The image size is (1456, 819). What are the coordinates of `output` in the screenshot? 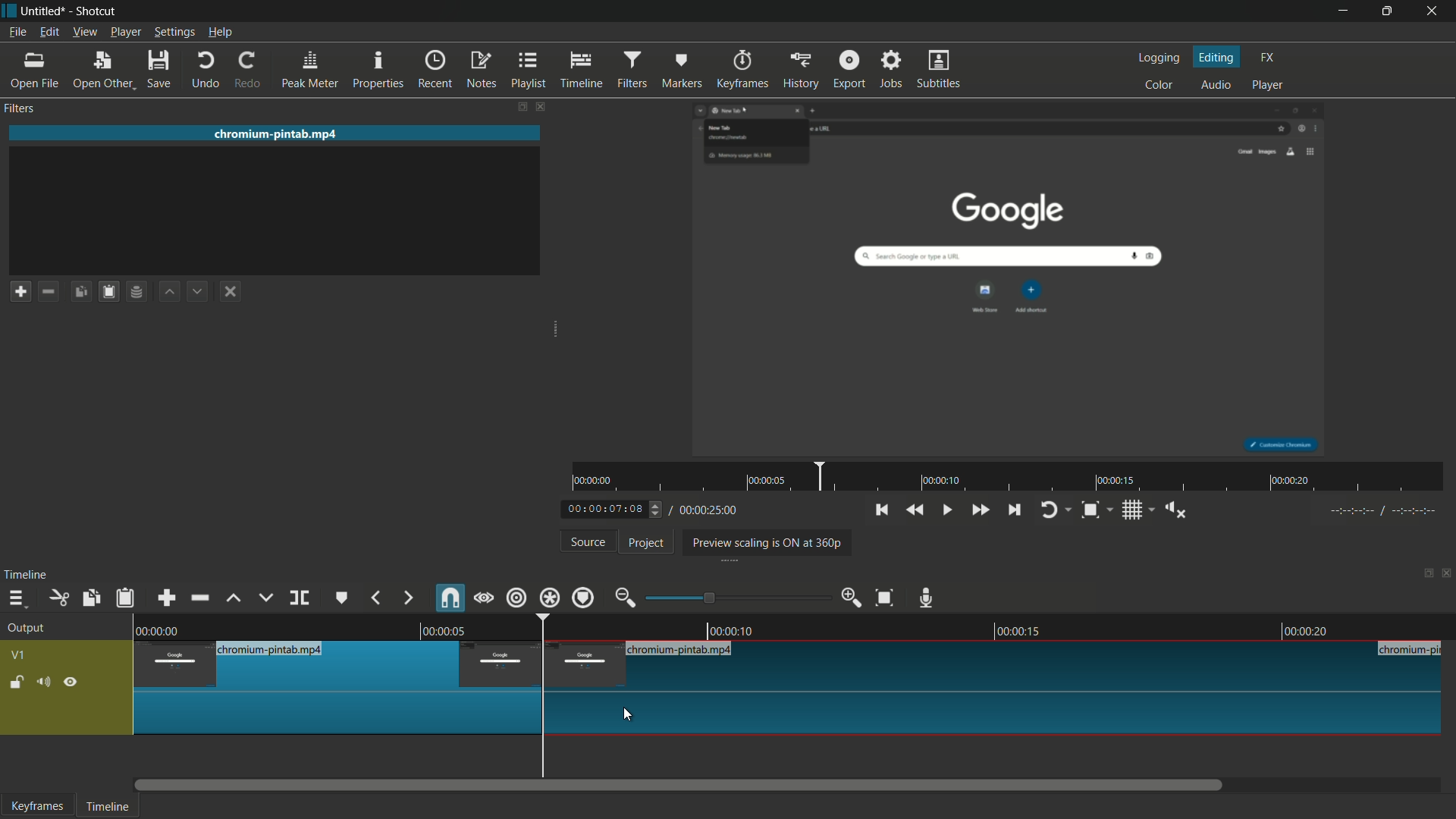 It's located at (30, 629).